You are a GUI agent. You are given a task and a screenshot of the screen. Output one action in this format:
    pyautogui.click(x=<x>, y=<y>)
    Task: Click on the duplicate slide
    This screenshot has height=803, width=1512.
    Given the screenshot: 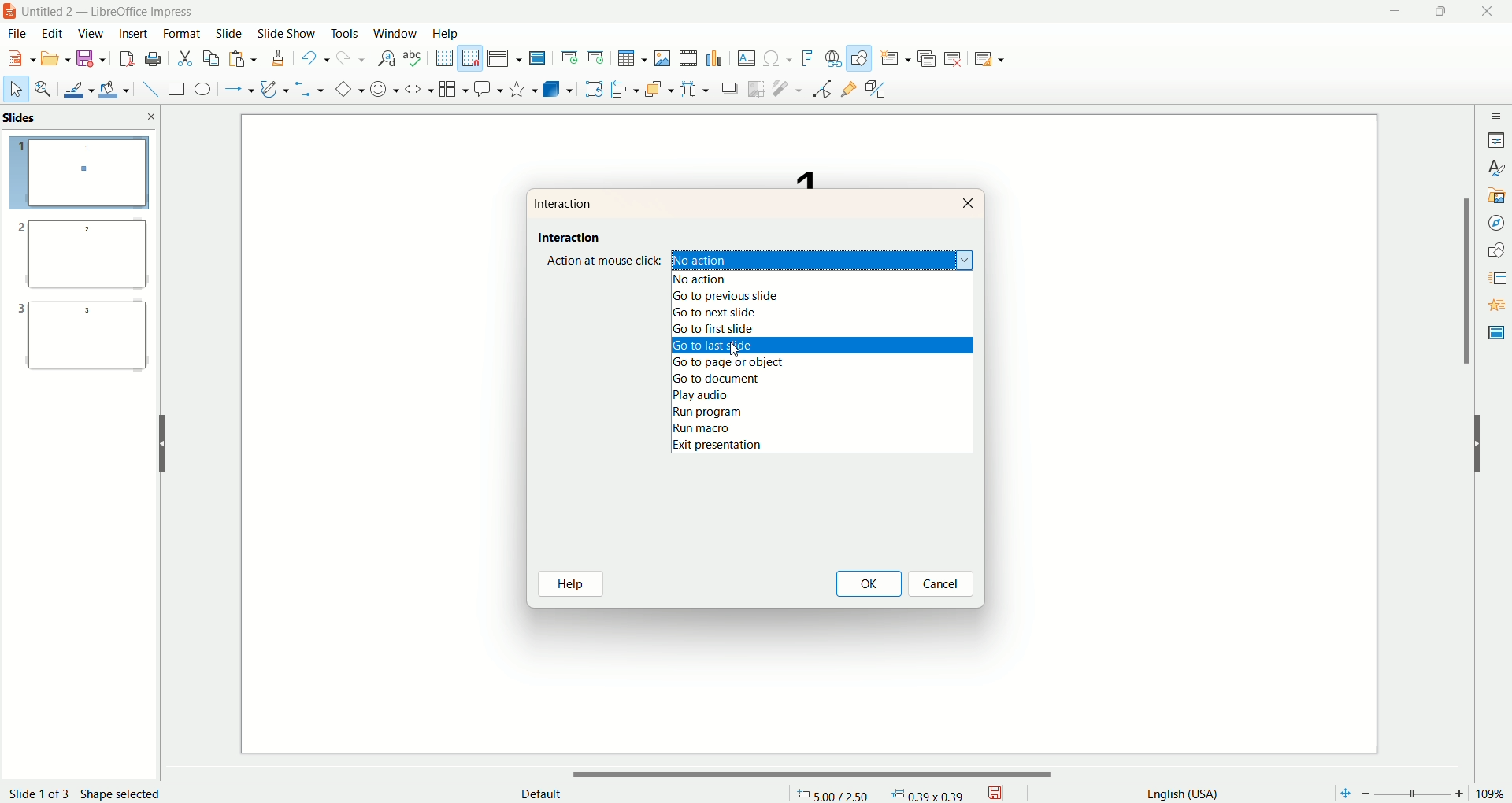 What is the action you would take?
    pyautogui.click(x=928, y=56)
    